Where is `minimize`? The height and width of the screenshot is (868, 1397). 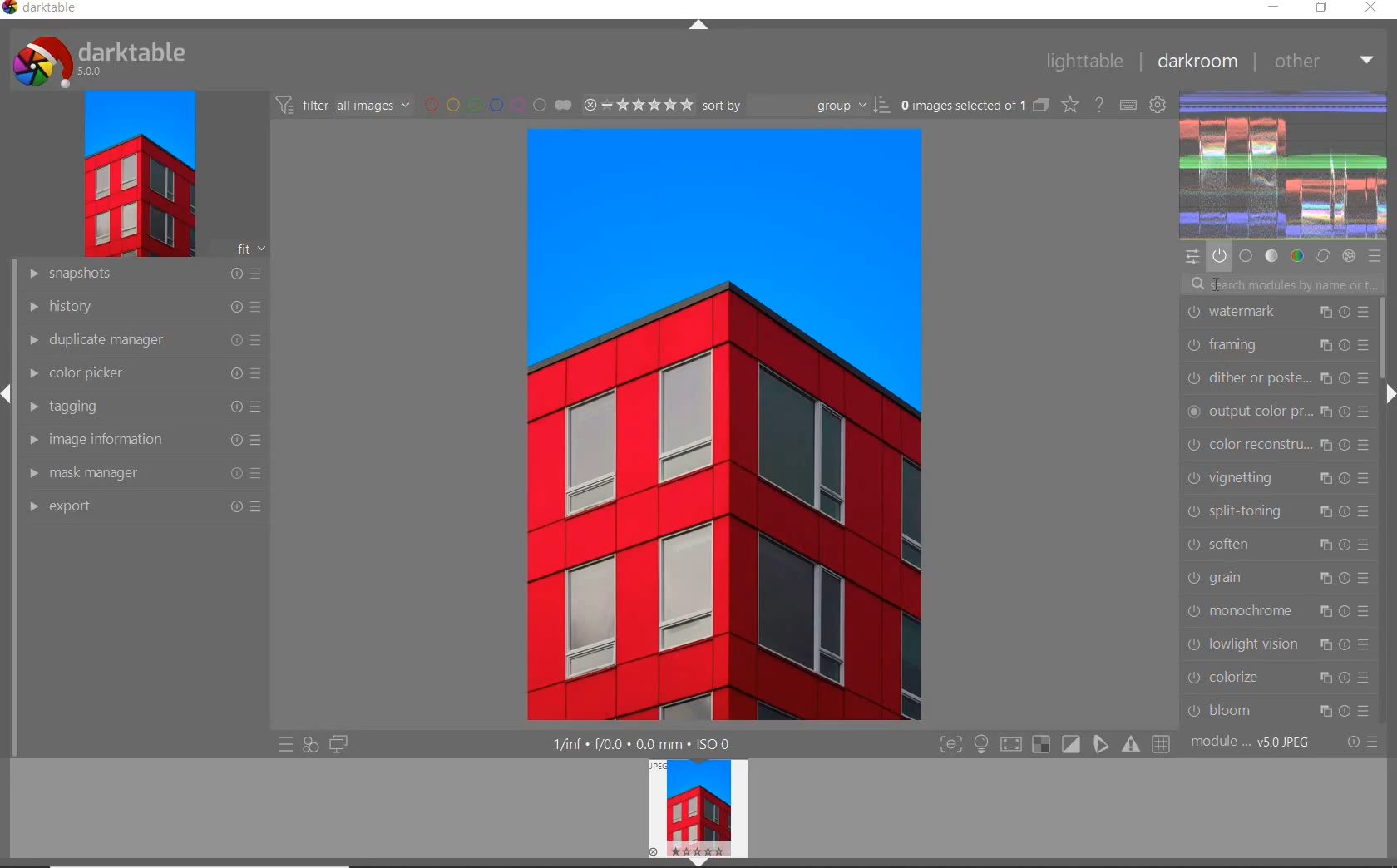 minimize is located at coordinates (1274, 8).